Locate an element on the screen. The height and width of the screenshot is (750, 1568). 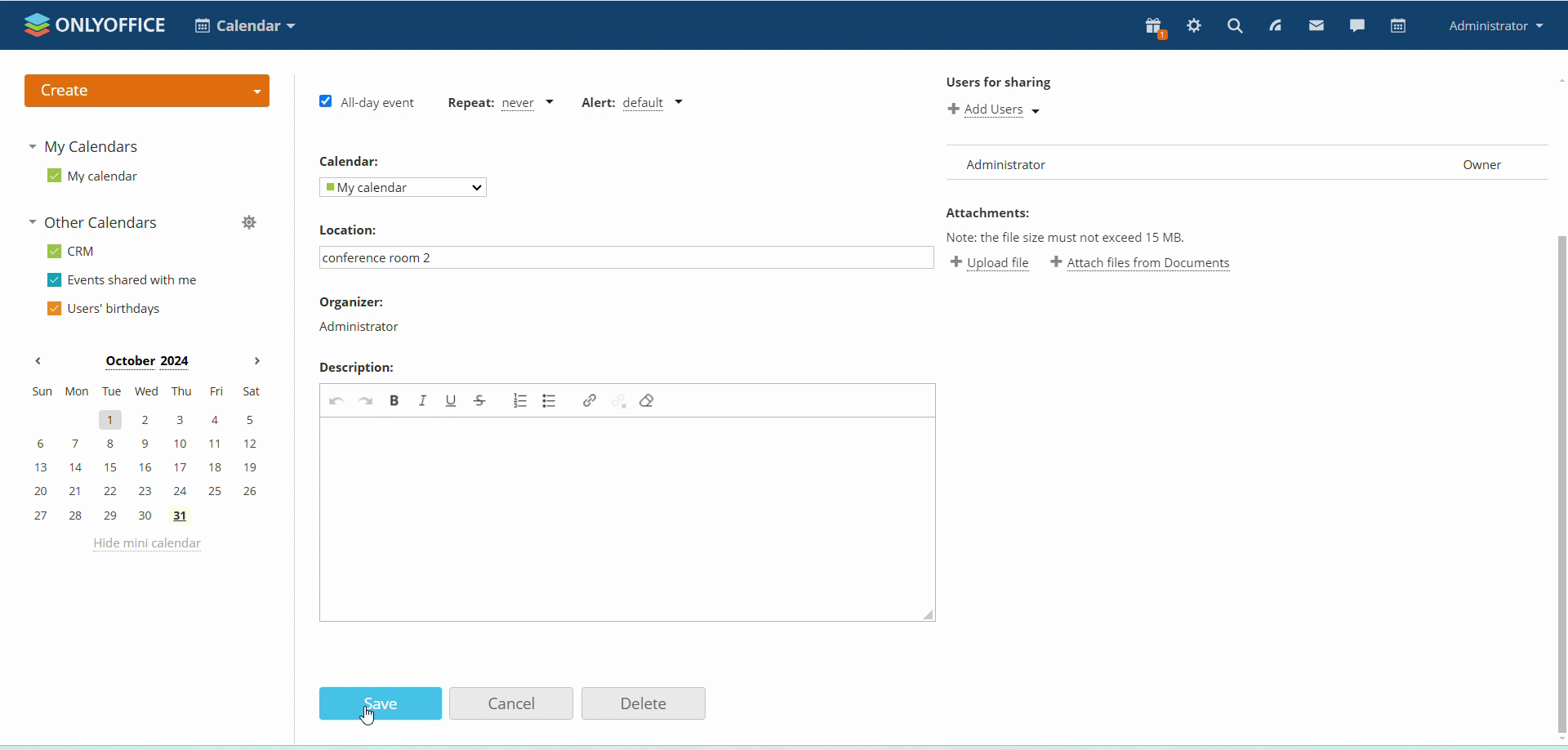
month on display is located at coordinates (147, 363).